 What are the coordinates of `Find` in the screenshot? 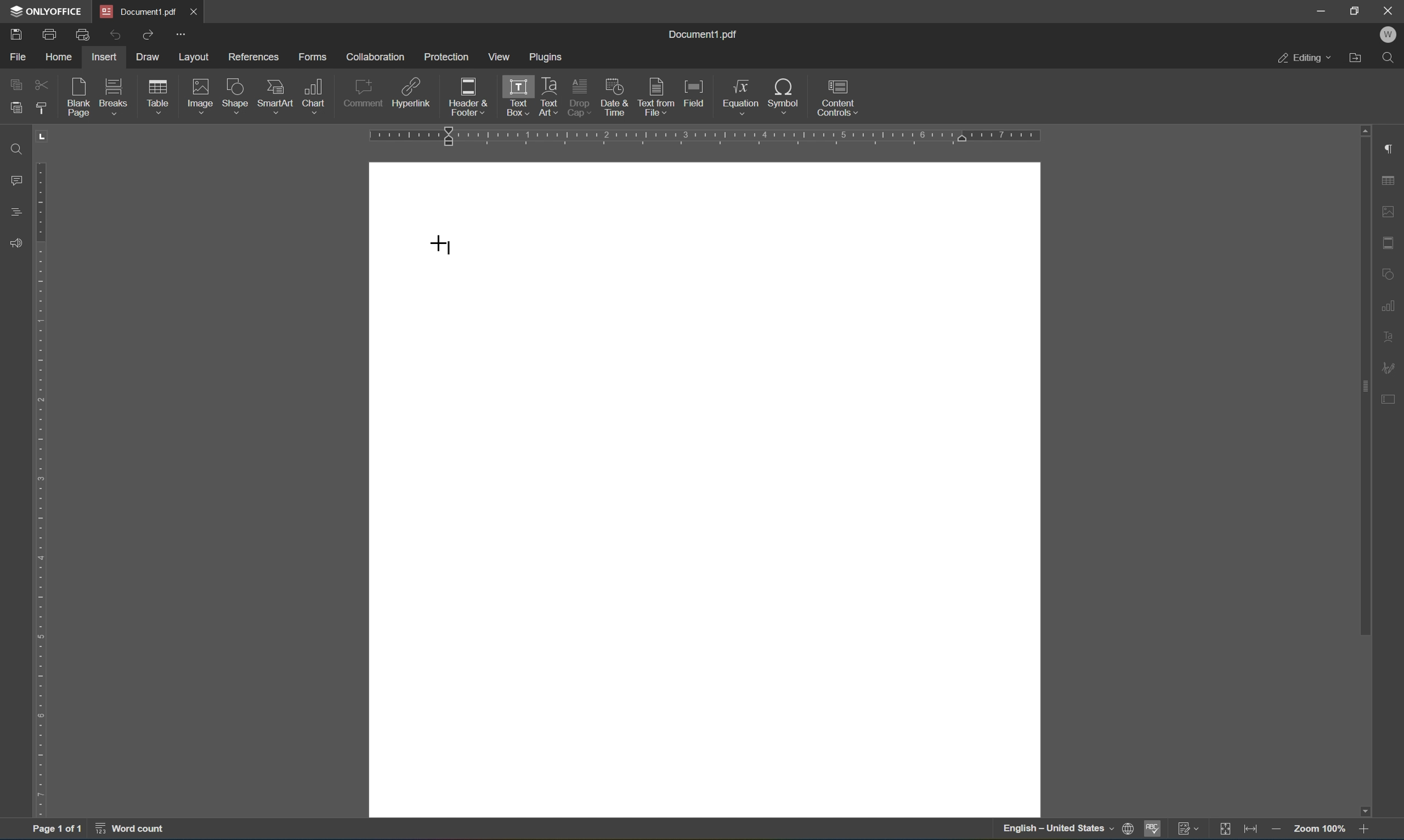 It's located at (18, 150).